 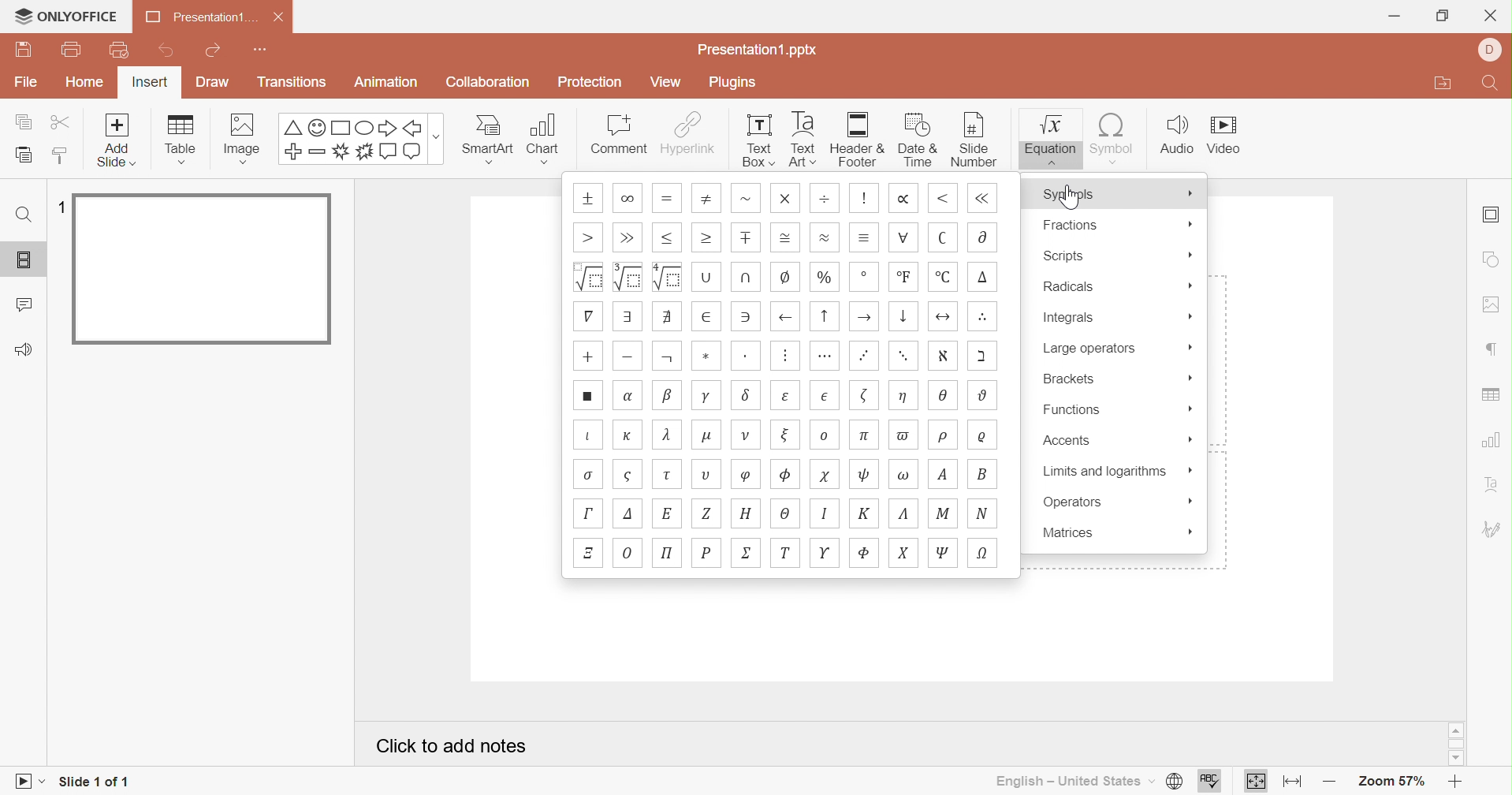 I want to click on Signature settings, so click(x=1490, y=528).